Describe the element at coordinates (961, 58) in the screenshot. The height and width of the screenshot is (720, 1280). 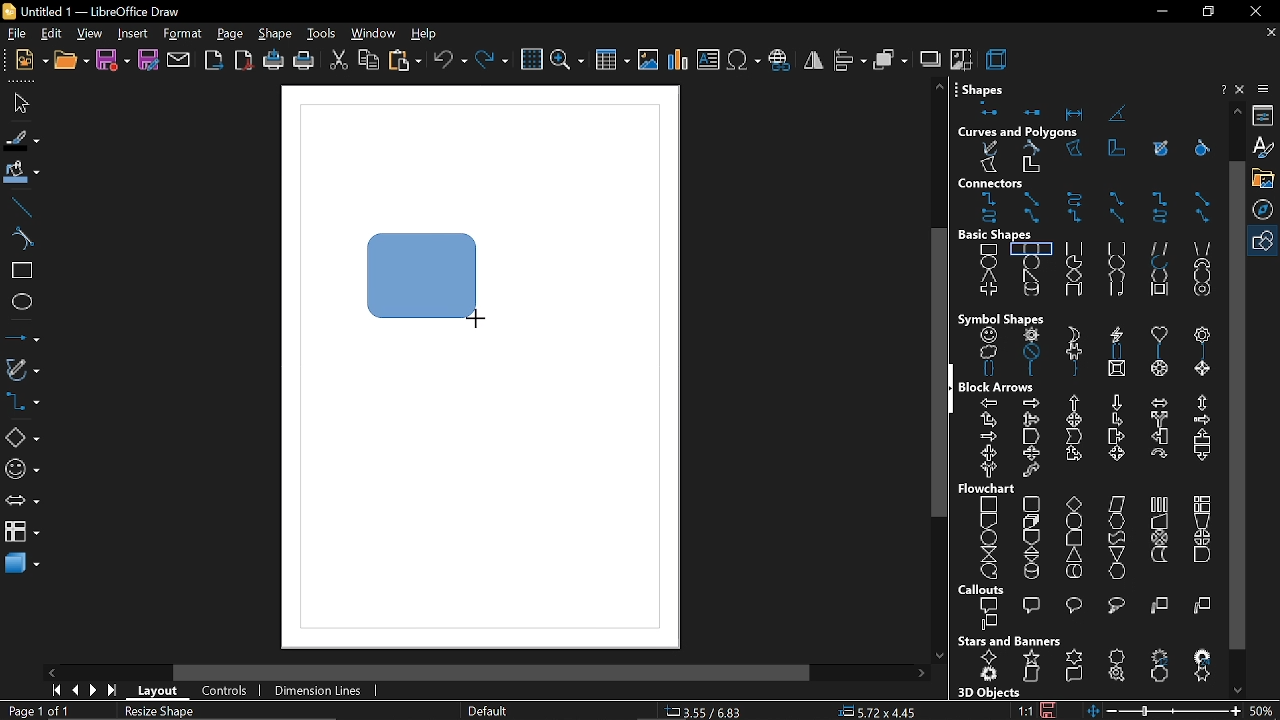
I see `crop` at that location.